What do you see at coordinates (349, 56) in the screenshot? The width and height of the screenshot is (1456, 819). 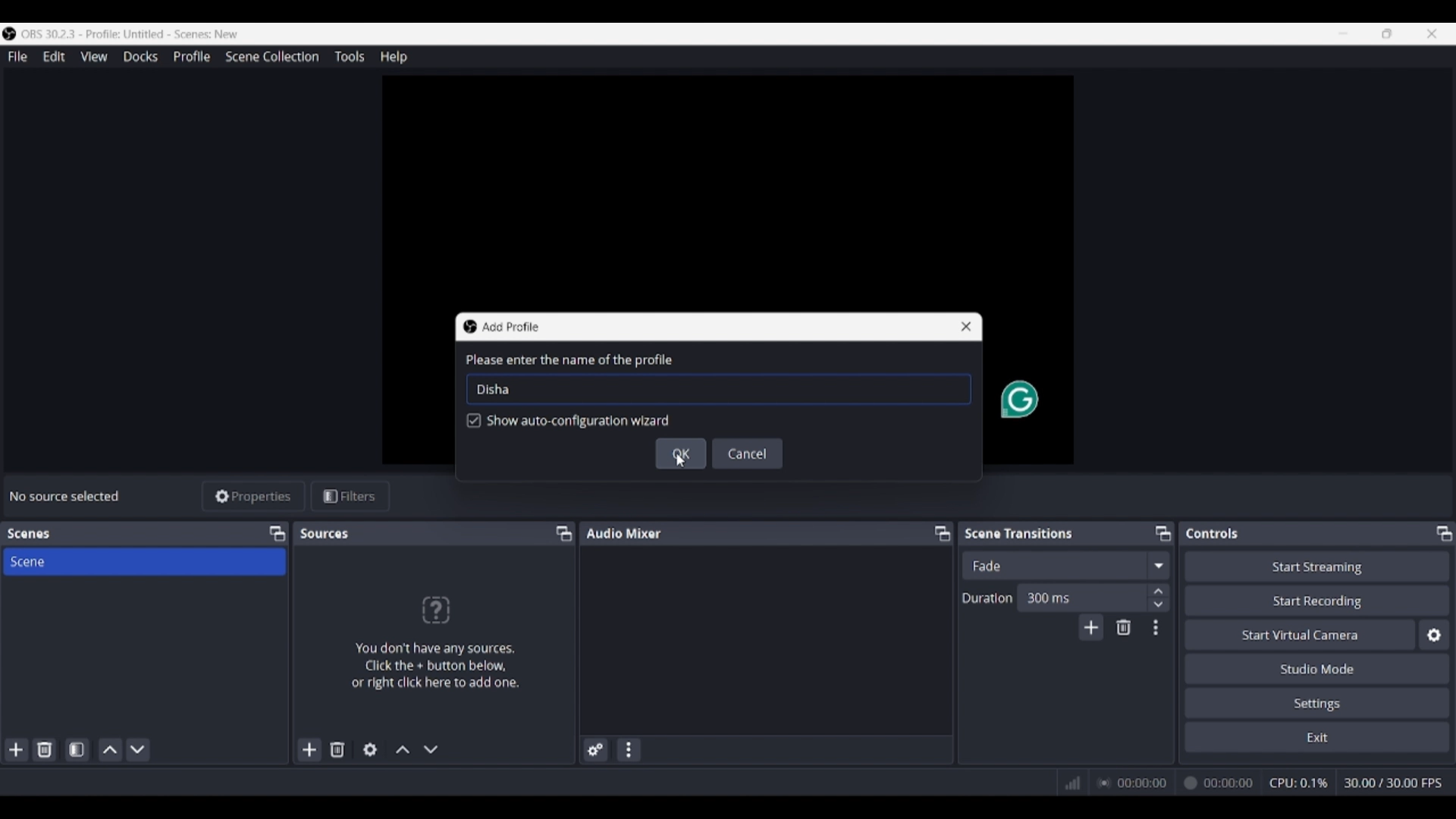 I see `Tools menu` at bounding box center [349, 56].